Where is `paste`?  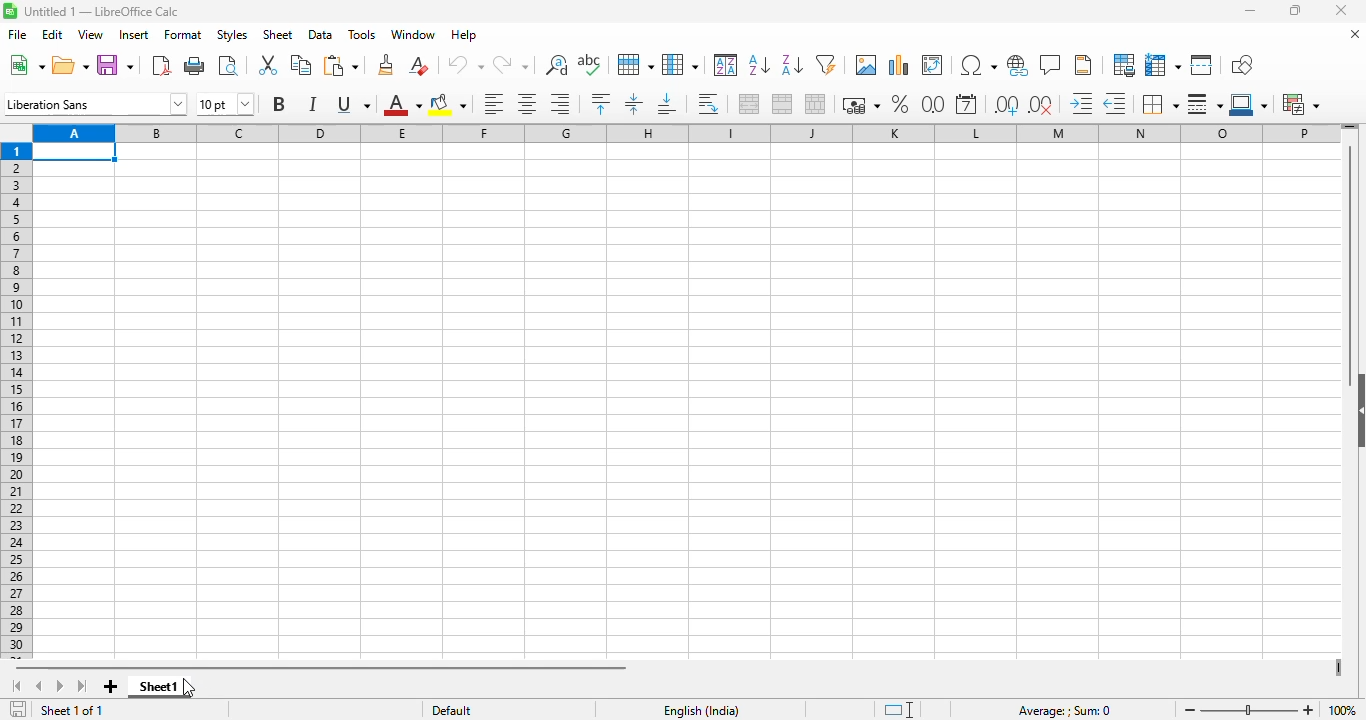
paste is located at coordinates (341, 65).